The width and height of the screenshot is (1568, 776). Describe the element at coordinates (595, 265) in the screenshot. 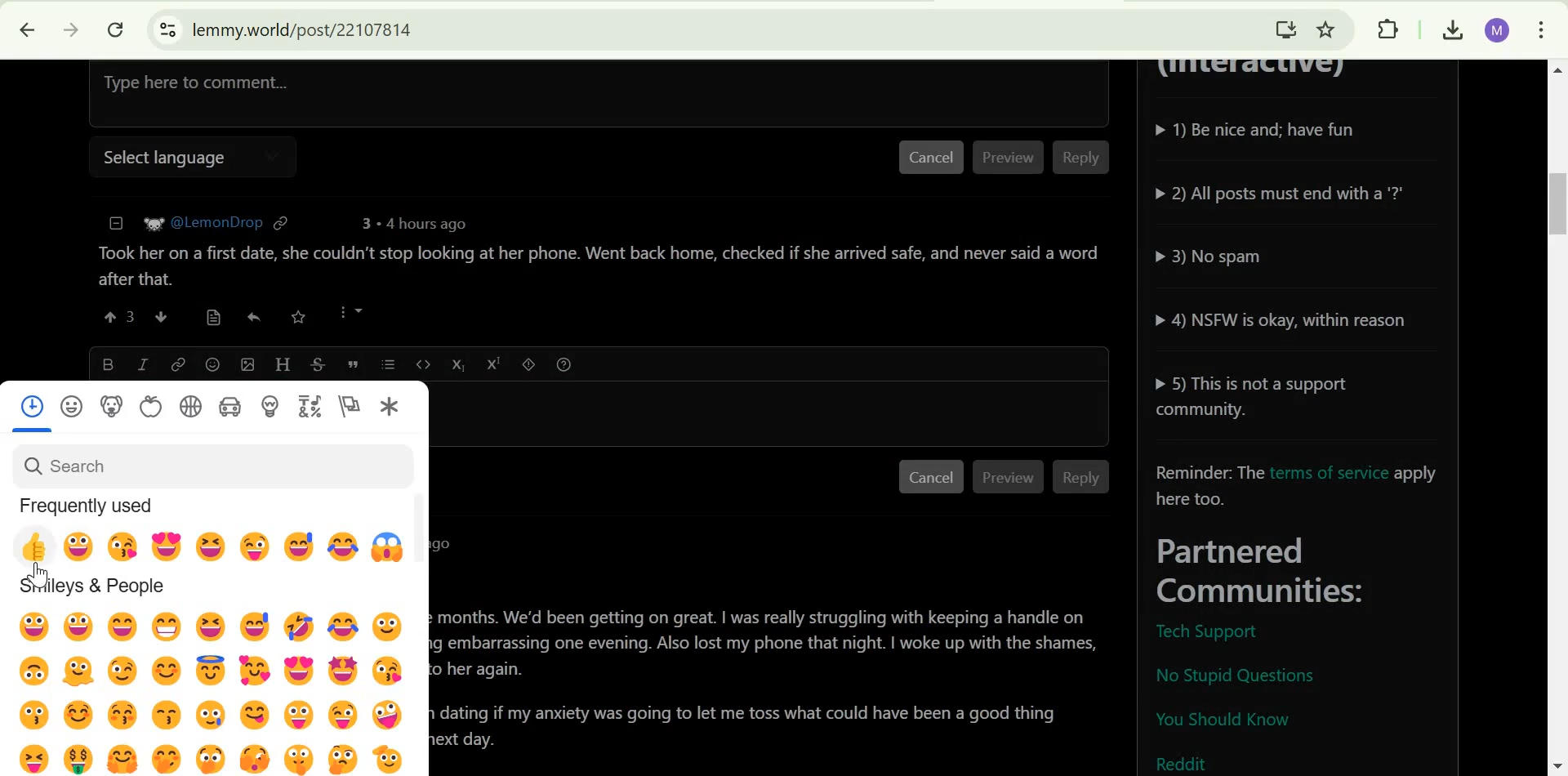

I see `comment` at that location.